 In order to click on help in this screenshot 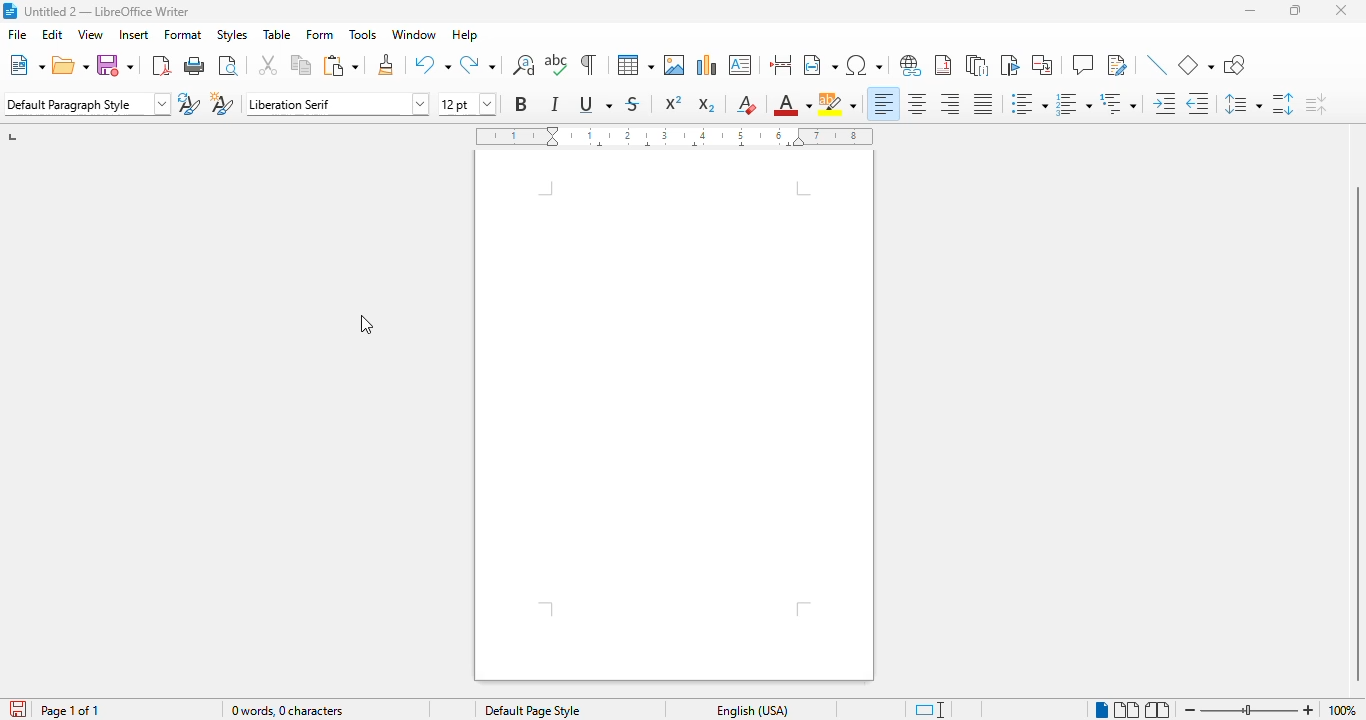, I will do `click(465, 34)`.